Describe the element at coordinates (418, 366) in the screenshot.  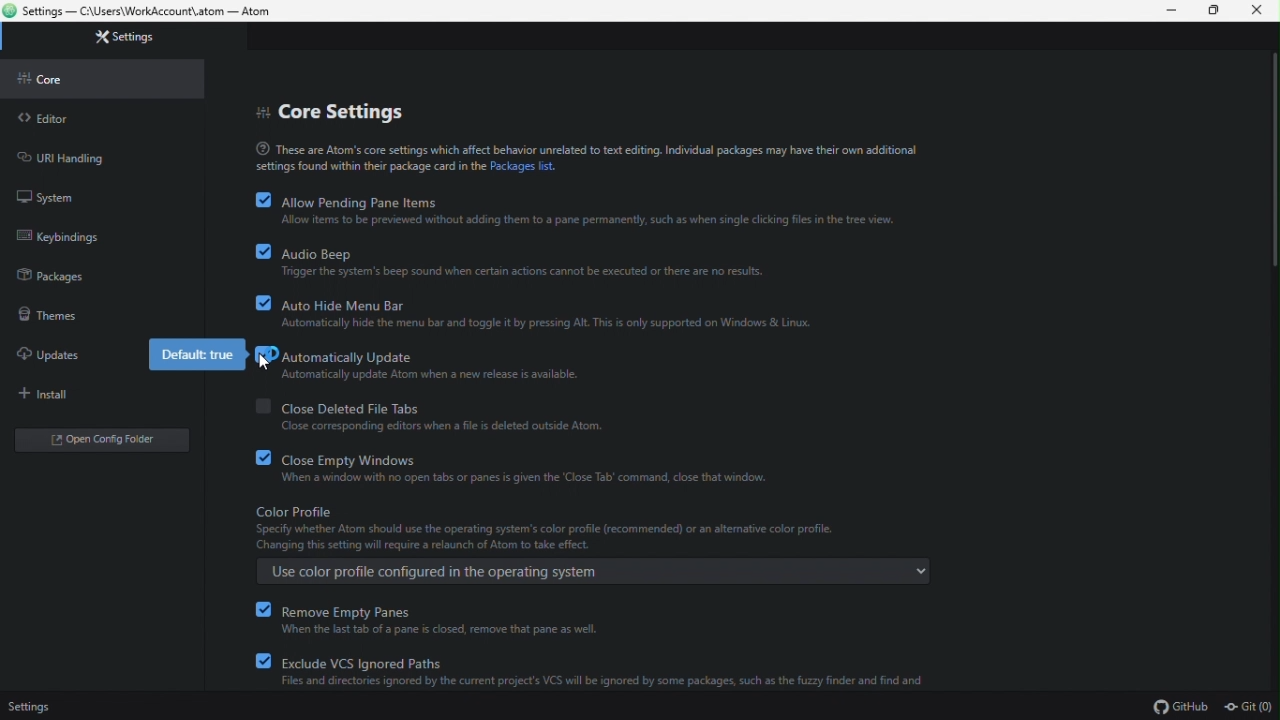
I see `automatically updates(enabled)` at that location.